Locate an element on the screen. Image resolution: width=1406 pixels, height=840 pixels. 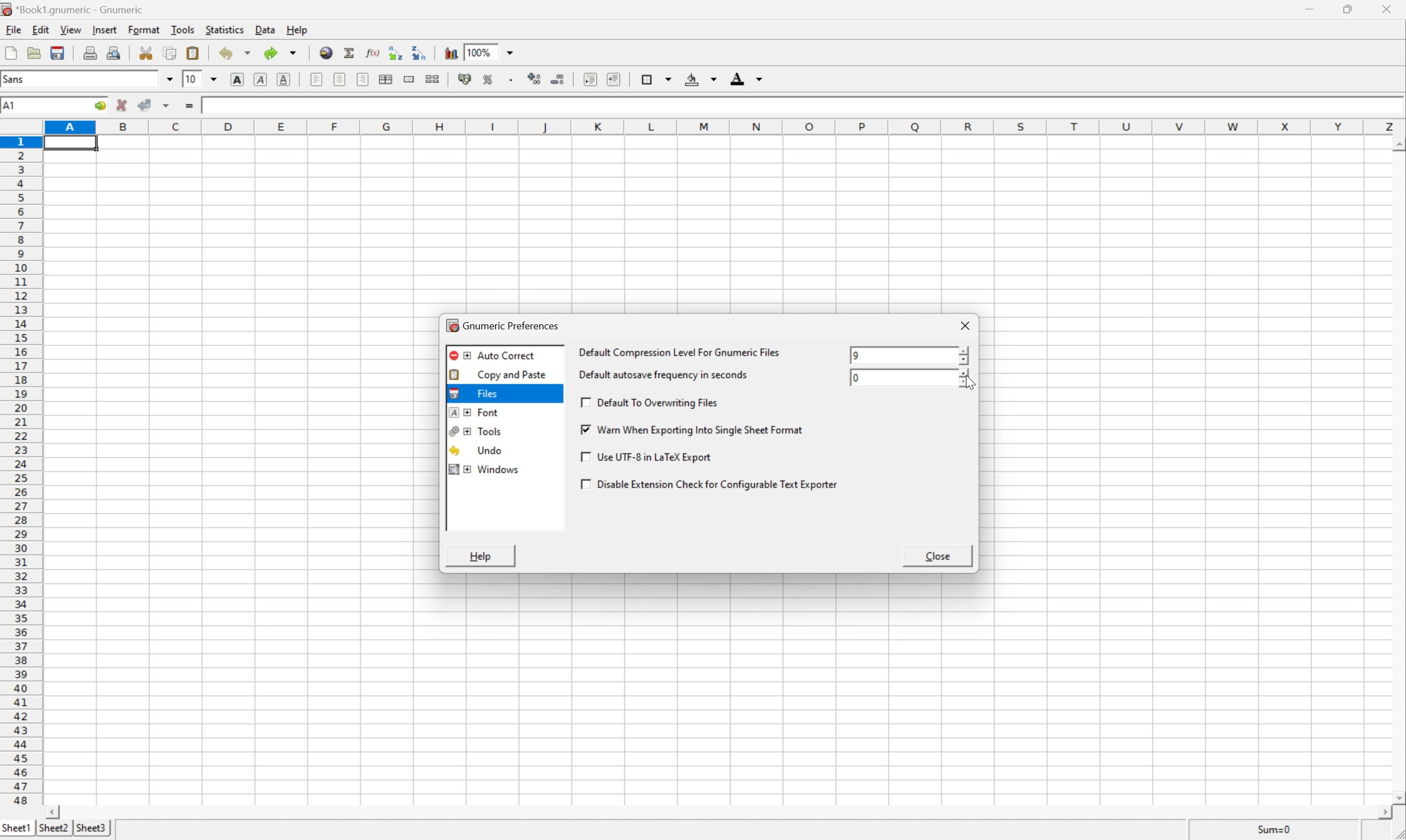
use UTF-8 in a LaTex Export is located at coordinates (648, 457).